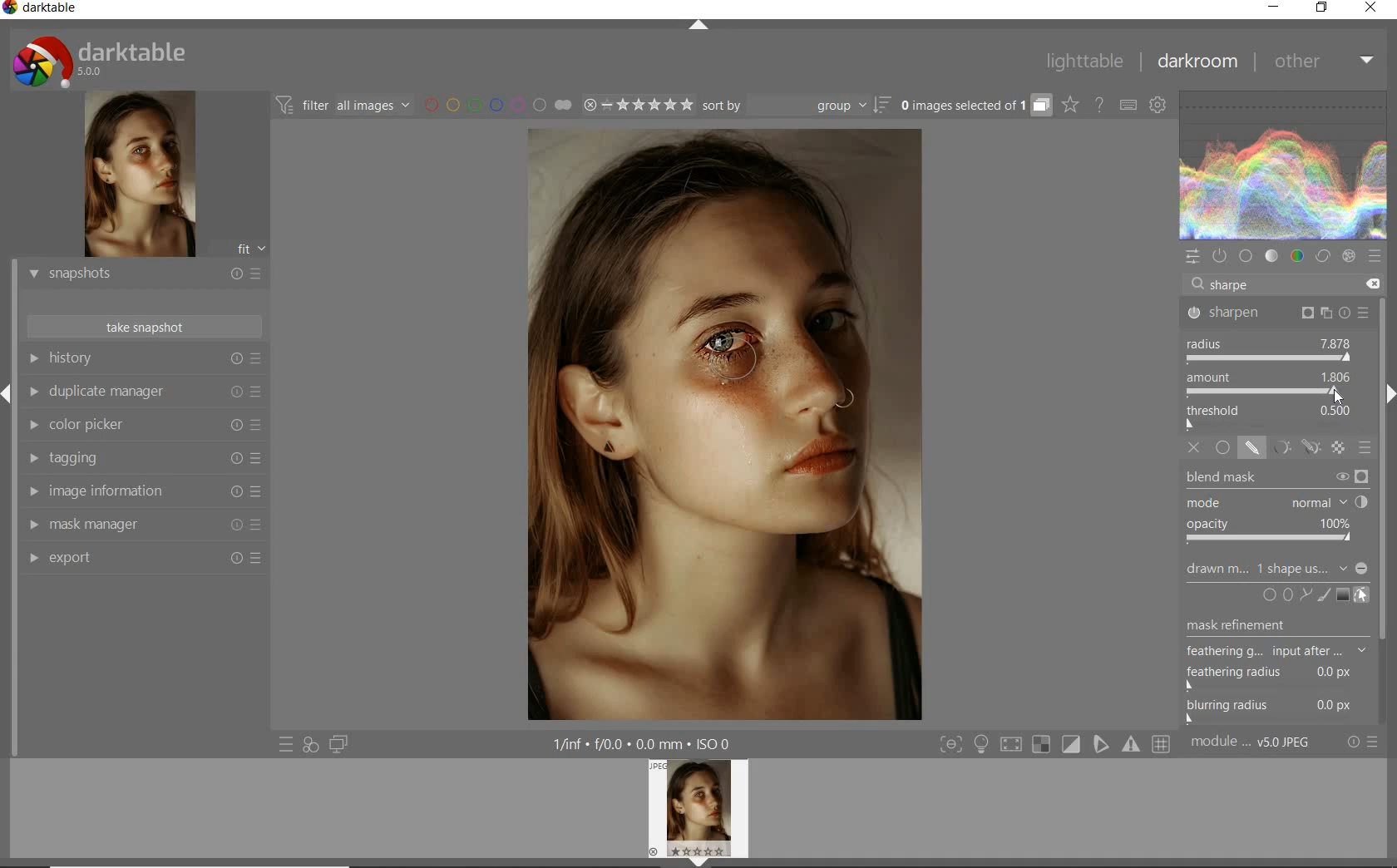 Image resolution: width=1397 pixels, height=868 pixels. What do you see at coordinates (1279, 314) in the screenshot?
I see `SHARPEN` at bounding box center [1279, 314].